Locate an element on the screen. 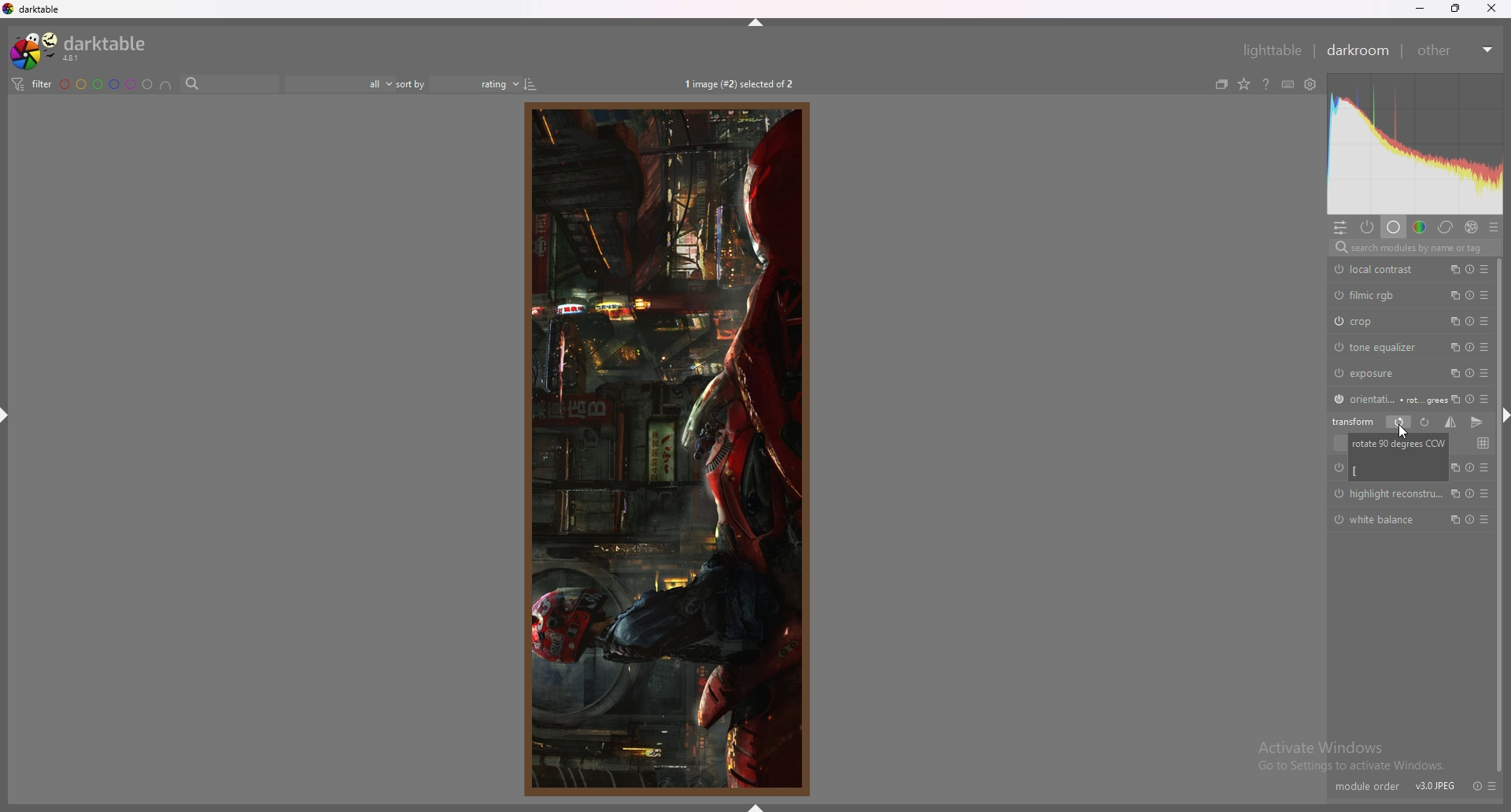  hide is located at coordinates (755, 20).